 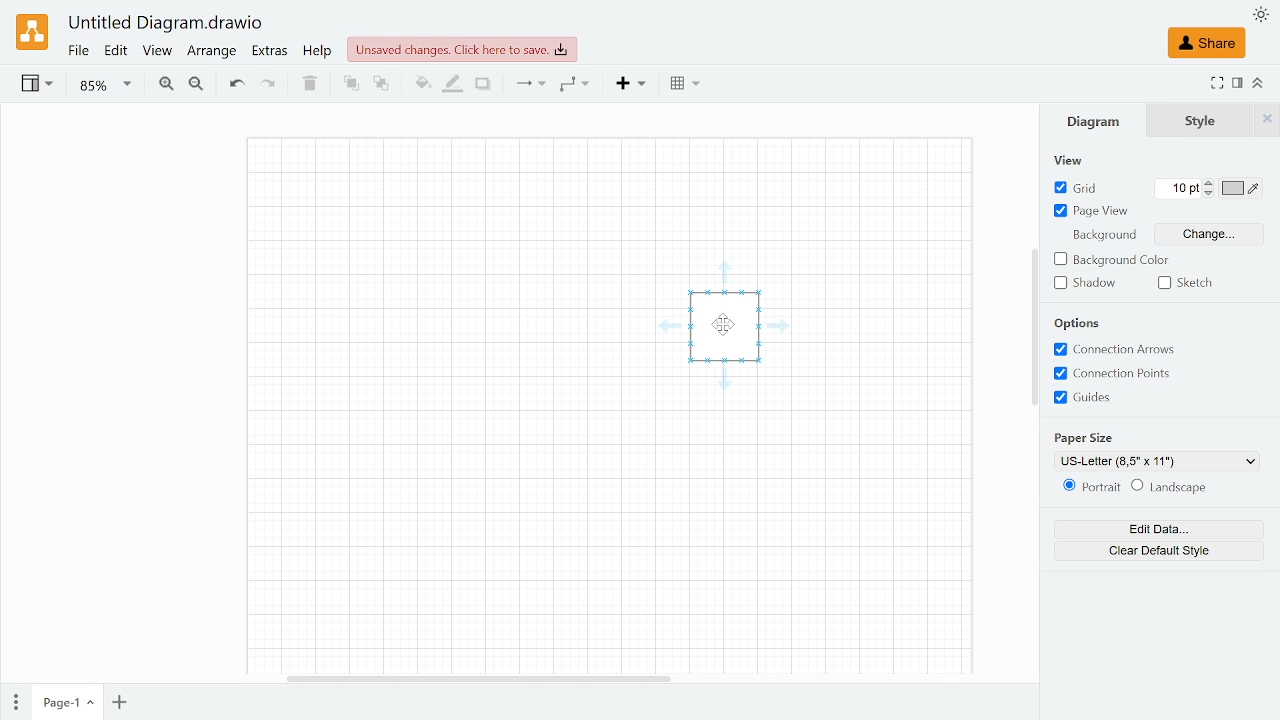 What do you see at coordinates (382, 85) in the screenshot?
I see `To back` at bounding box center [382, 85].